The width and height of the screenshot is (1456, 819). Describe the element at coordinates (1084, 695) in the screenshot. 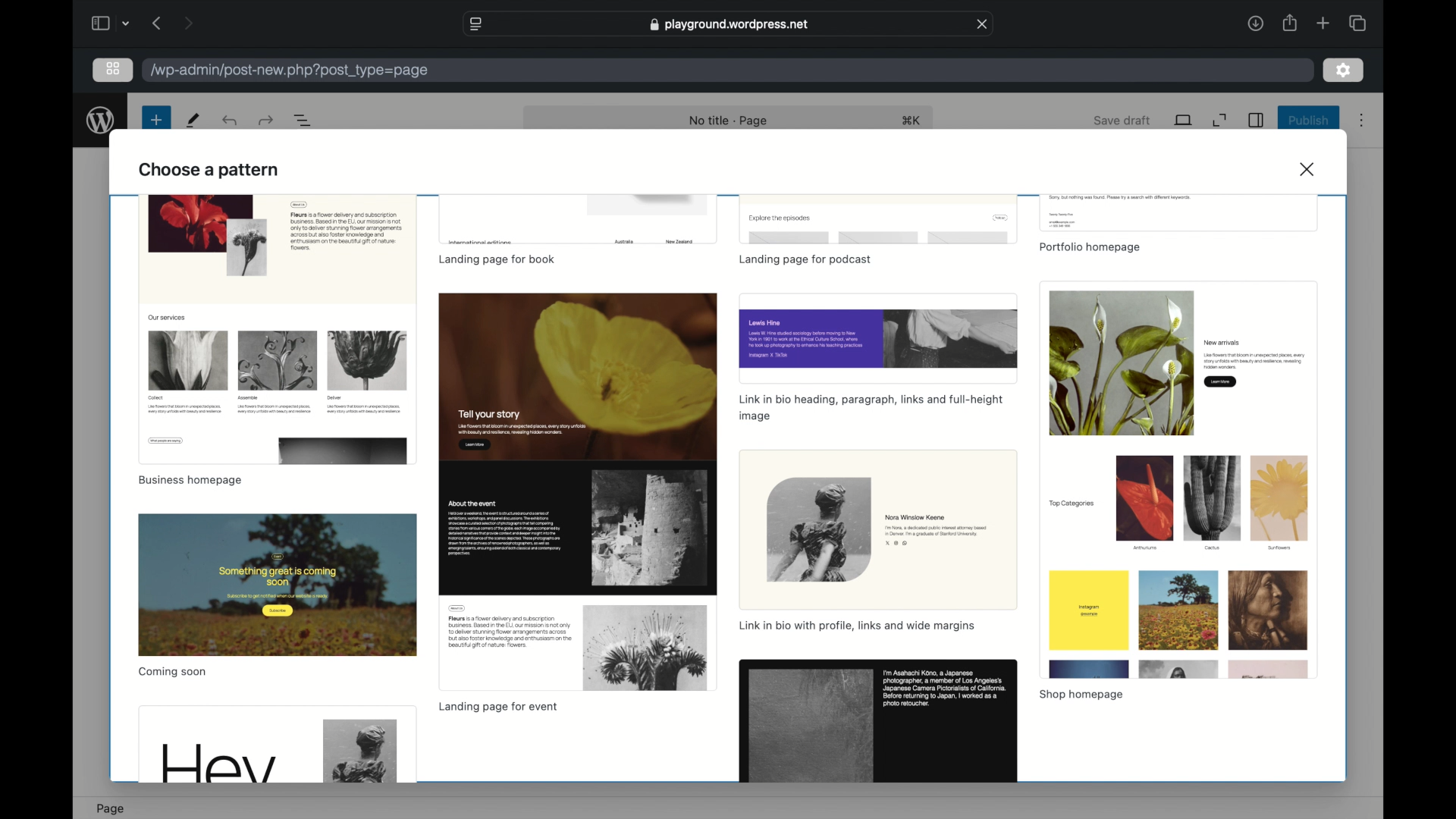

I see `template name` at that location.